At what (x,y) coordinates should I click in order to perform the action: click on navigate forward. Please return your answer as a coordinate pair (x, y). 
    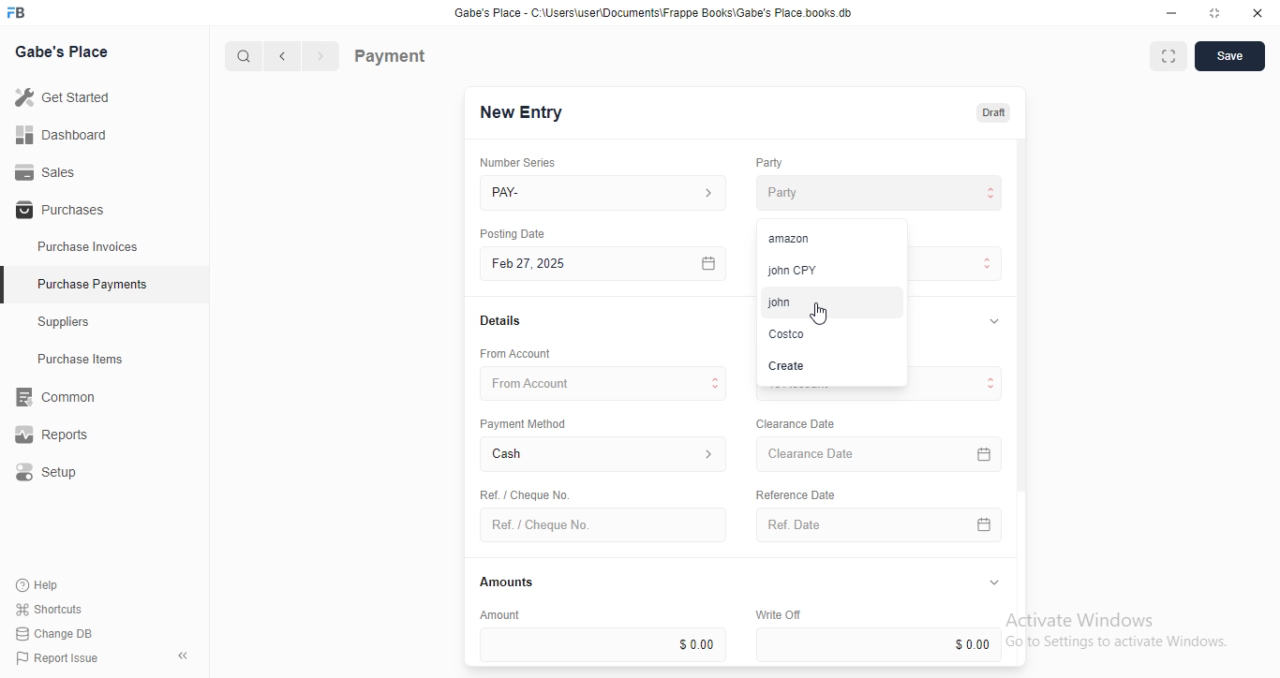
    Looking at the image, I should click on (322, 57).